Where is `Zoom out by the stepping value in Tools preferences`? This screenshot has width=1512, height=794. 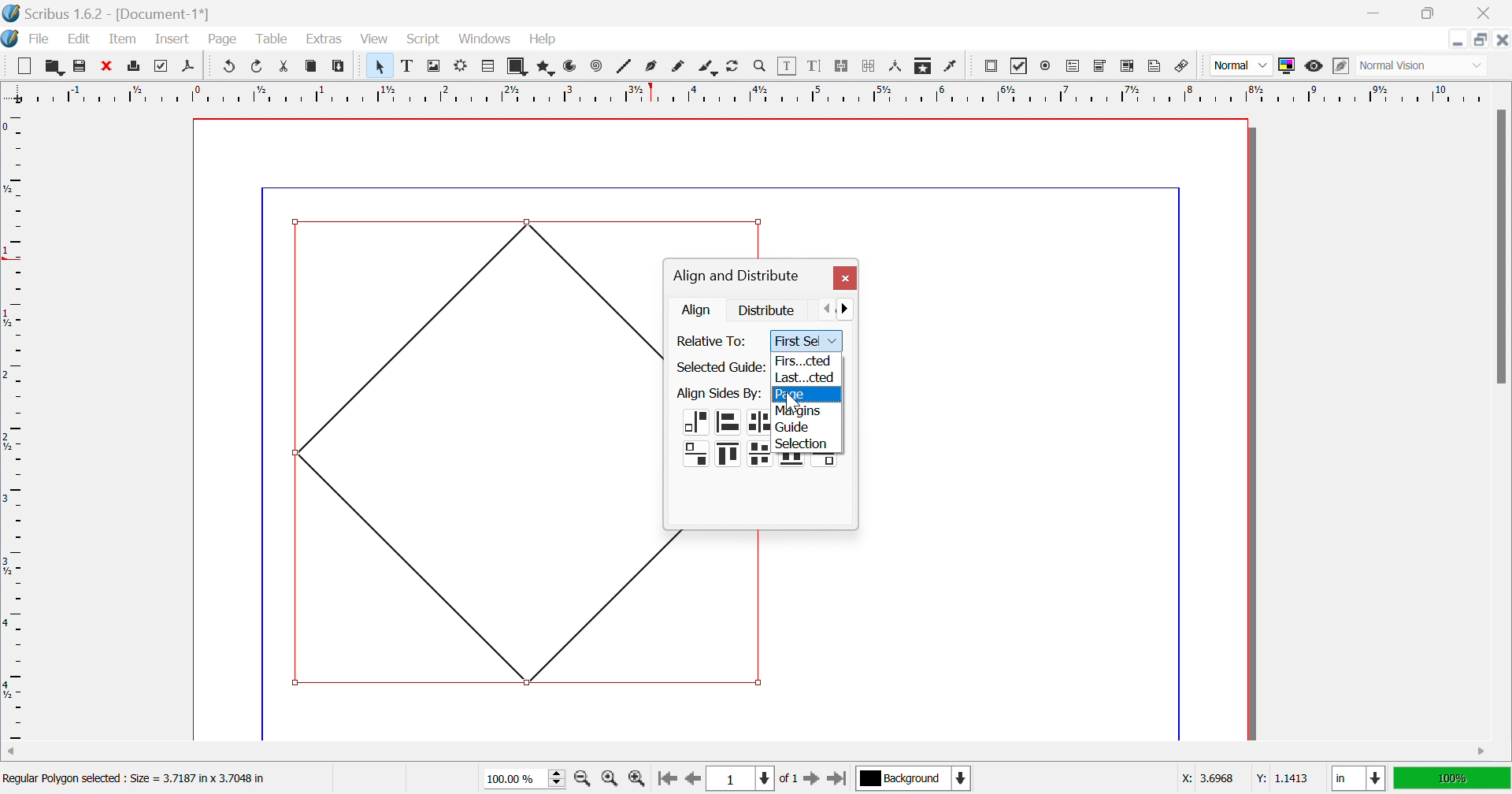 Zoom out by the stepping value in Tools preferences is located at coordinates (584, 781).